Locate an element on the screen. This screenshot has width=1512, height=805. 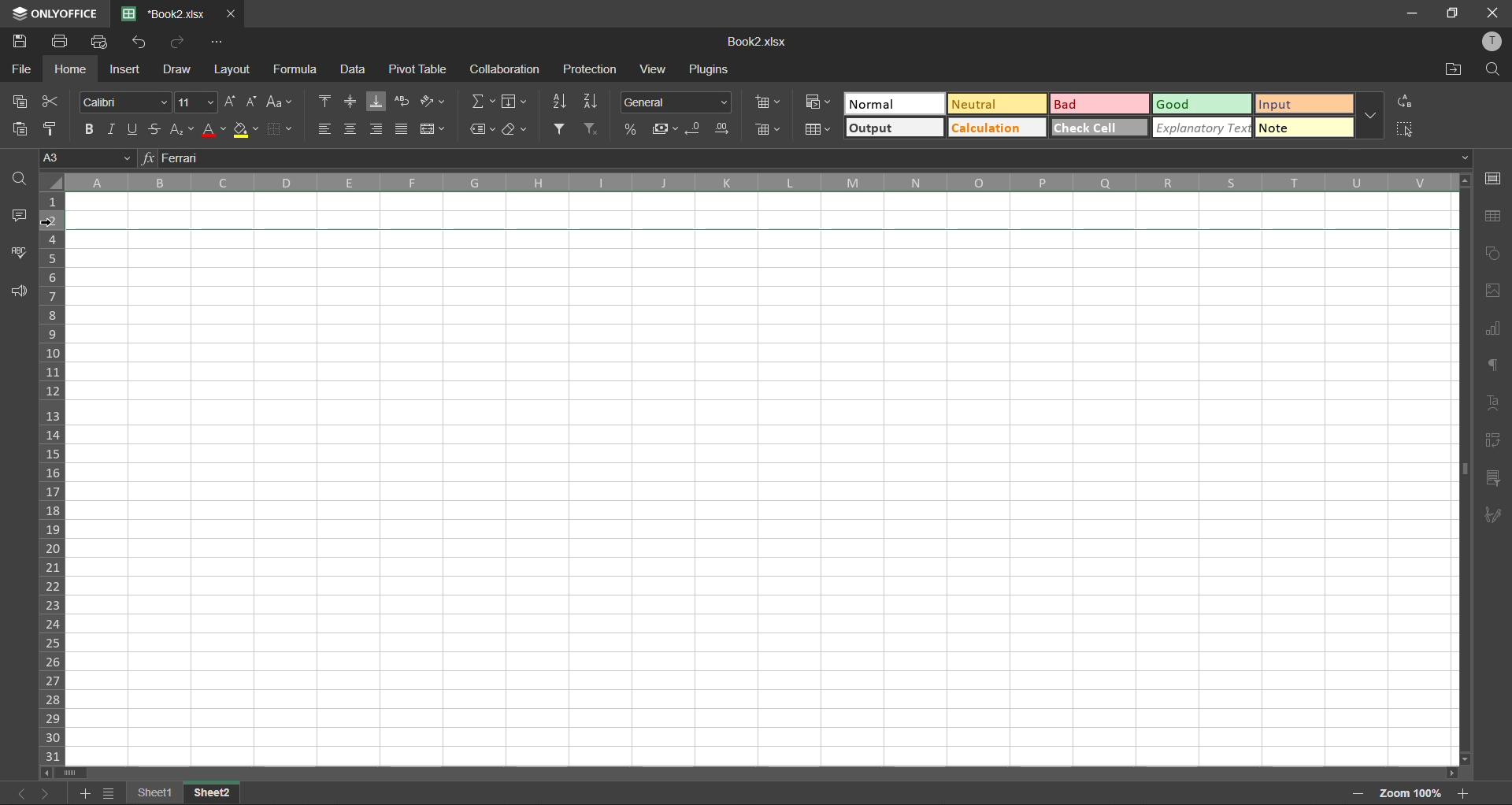
redo is located at coordinates (177, 42).